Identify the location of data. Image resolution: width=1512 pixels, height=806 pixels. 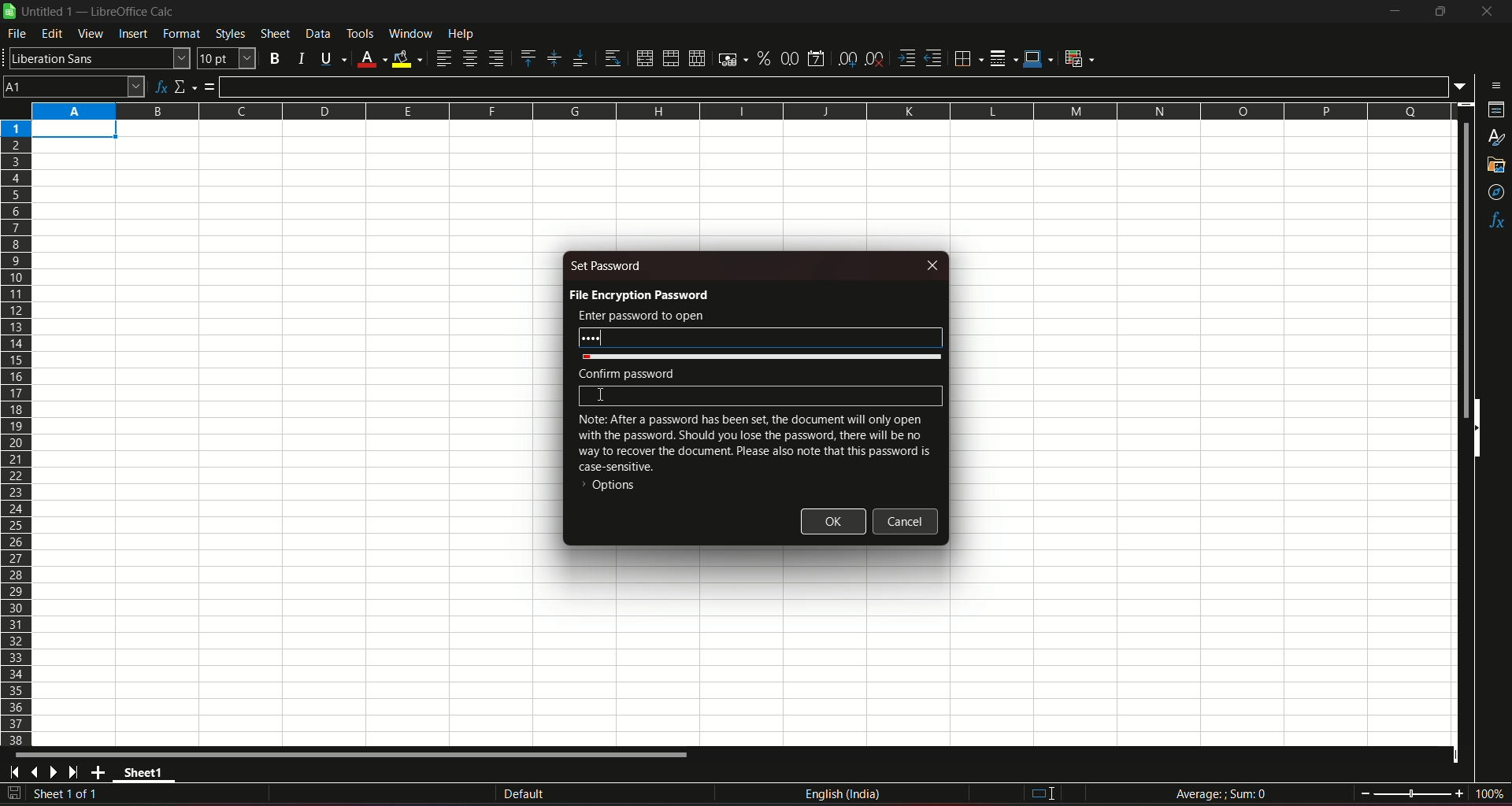
(317, 34).